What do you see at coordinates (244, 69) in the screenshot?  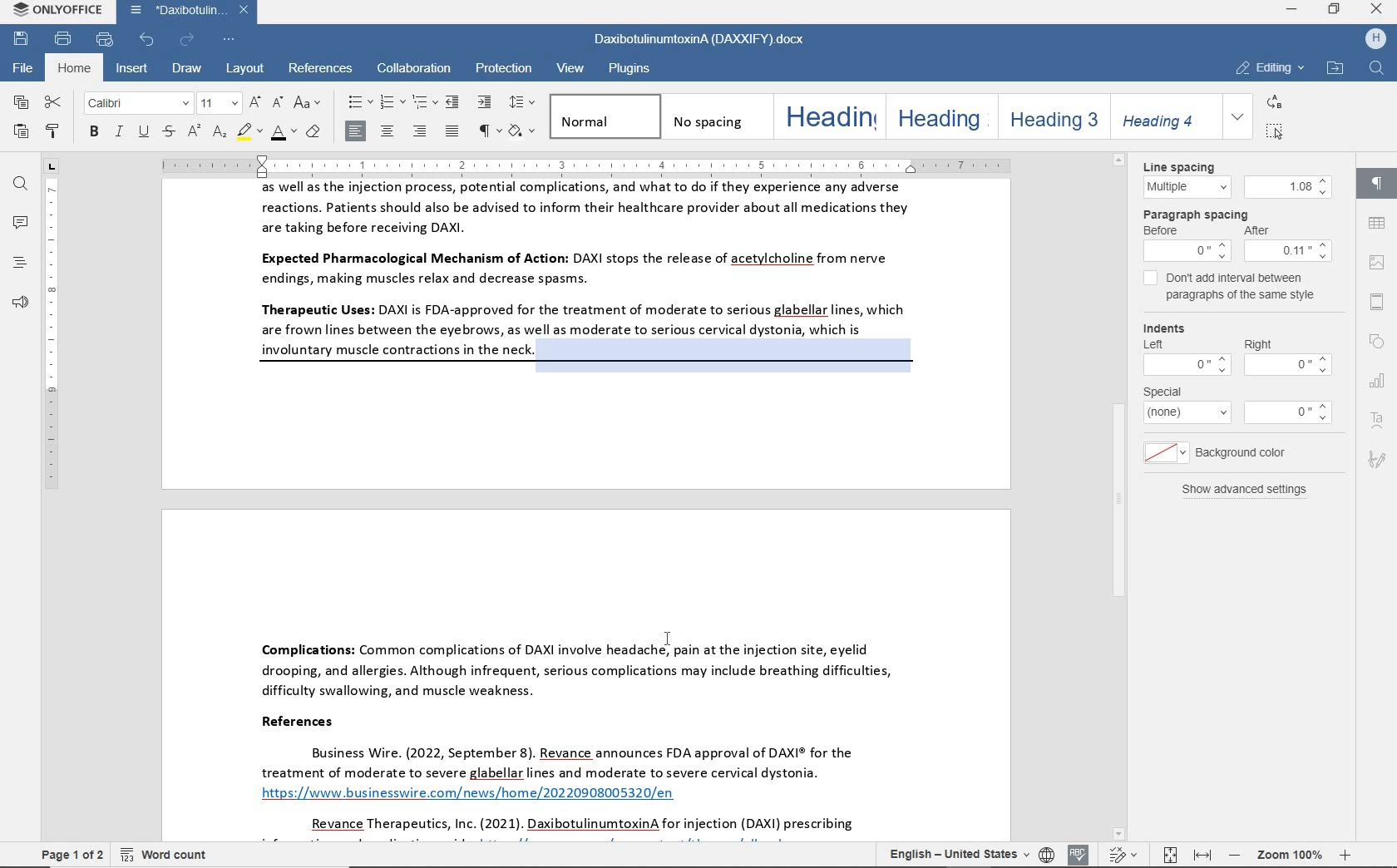 I see `layout` at bounding box center [244, 69].